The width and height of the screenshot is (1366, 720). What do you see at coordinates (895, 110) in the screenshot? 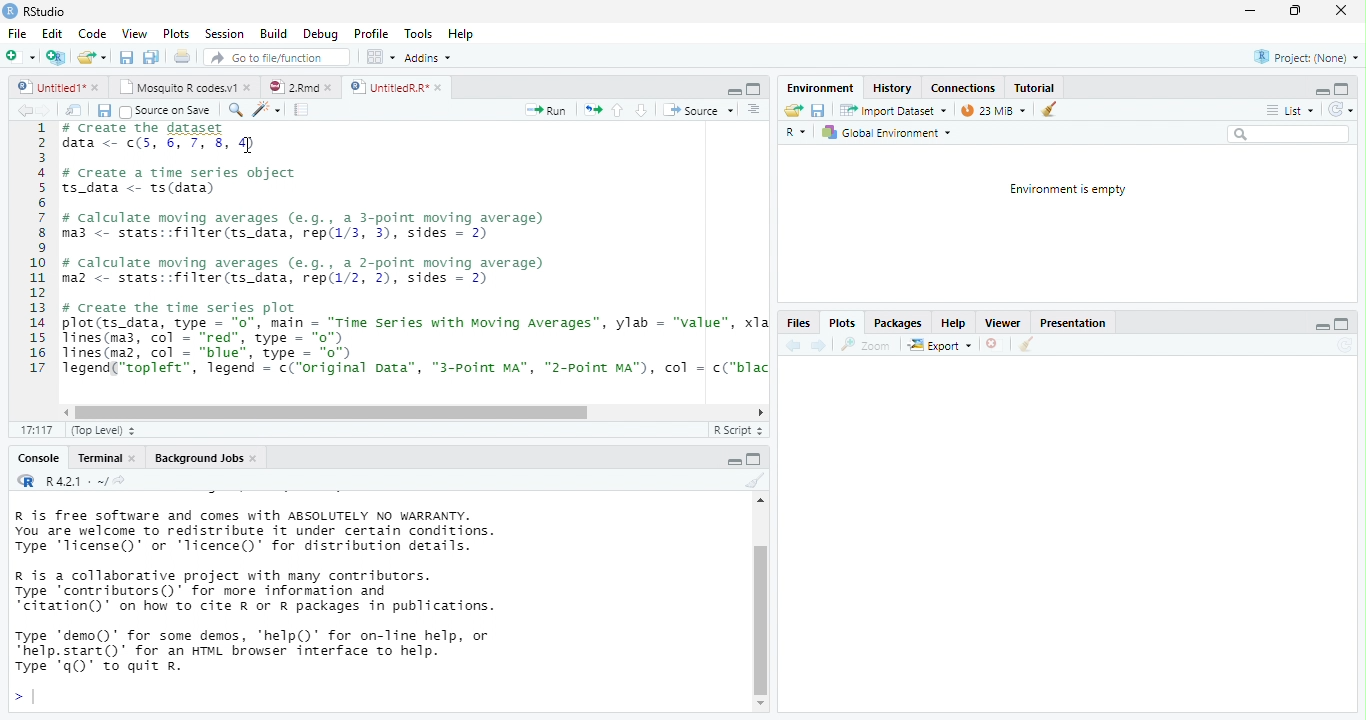
I see `Import Dataset` at bounding box center [895, 110].